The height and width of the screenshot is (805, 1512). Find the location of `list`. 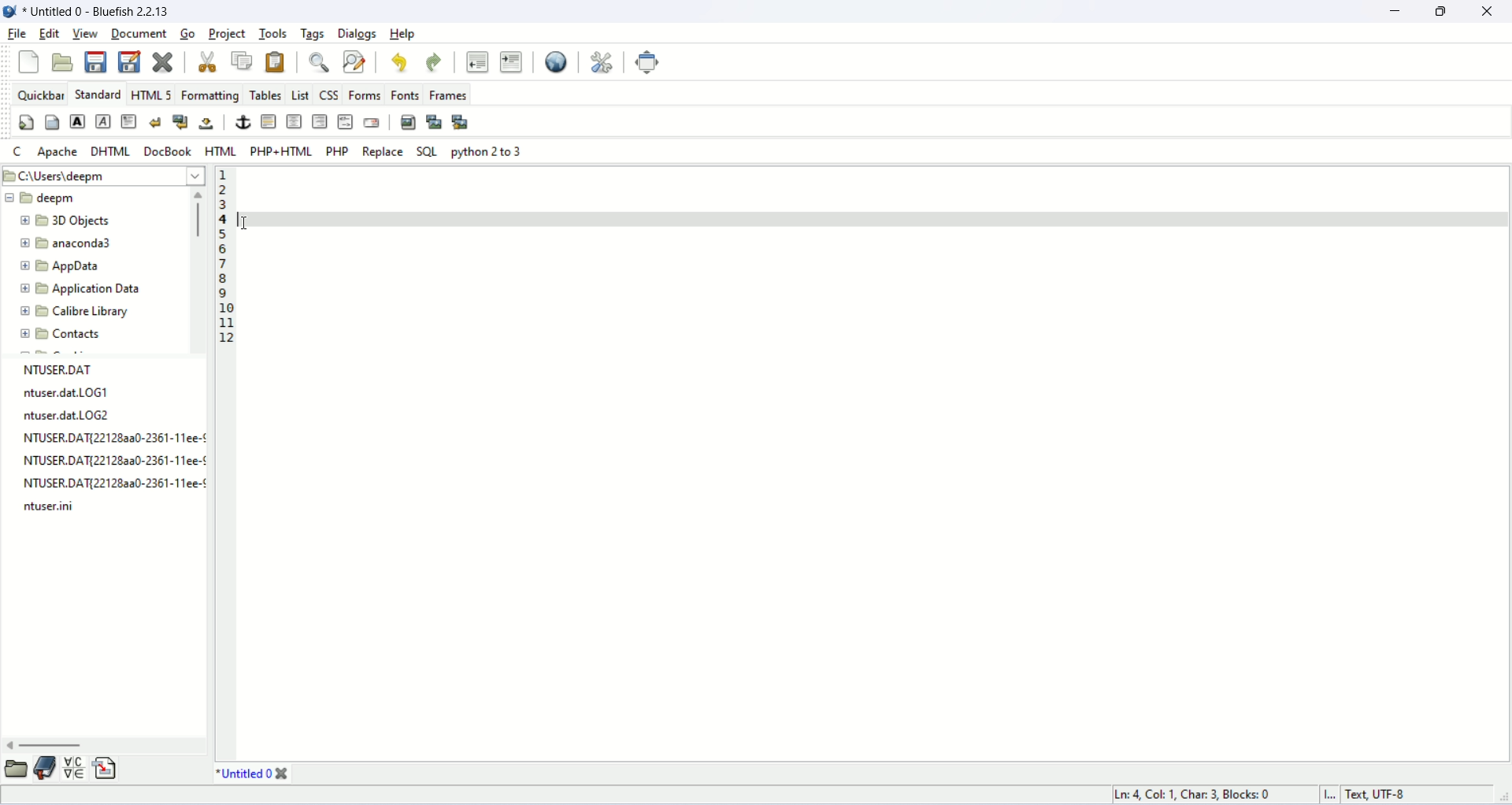

list is located at coordinates (300, 96).